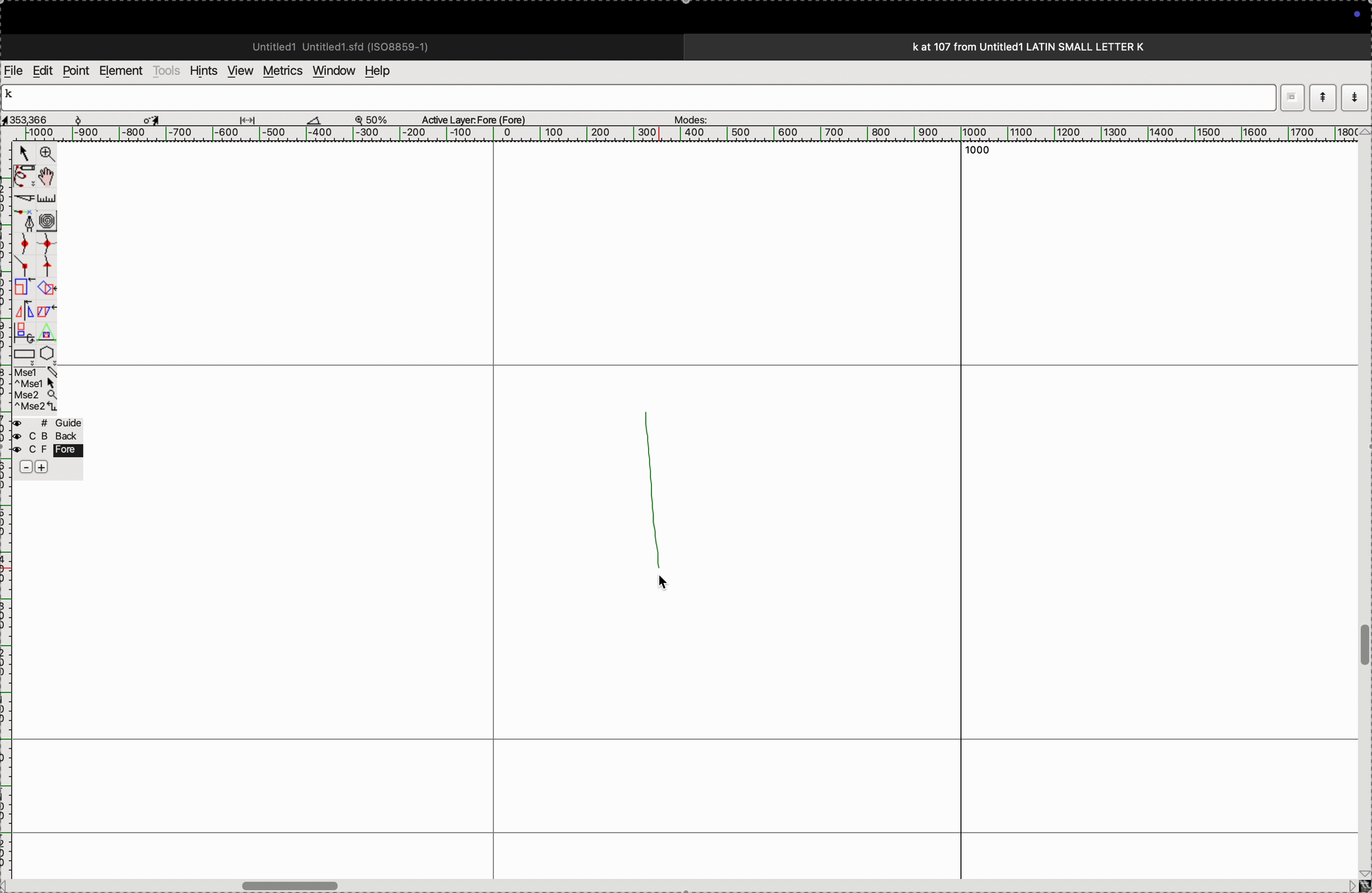 The width and height of the screenshot is (1372, 893). Describe the element at coordinates (314, 119) in the screenshot. I see `cut` at that location.